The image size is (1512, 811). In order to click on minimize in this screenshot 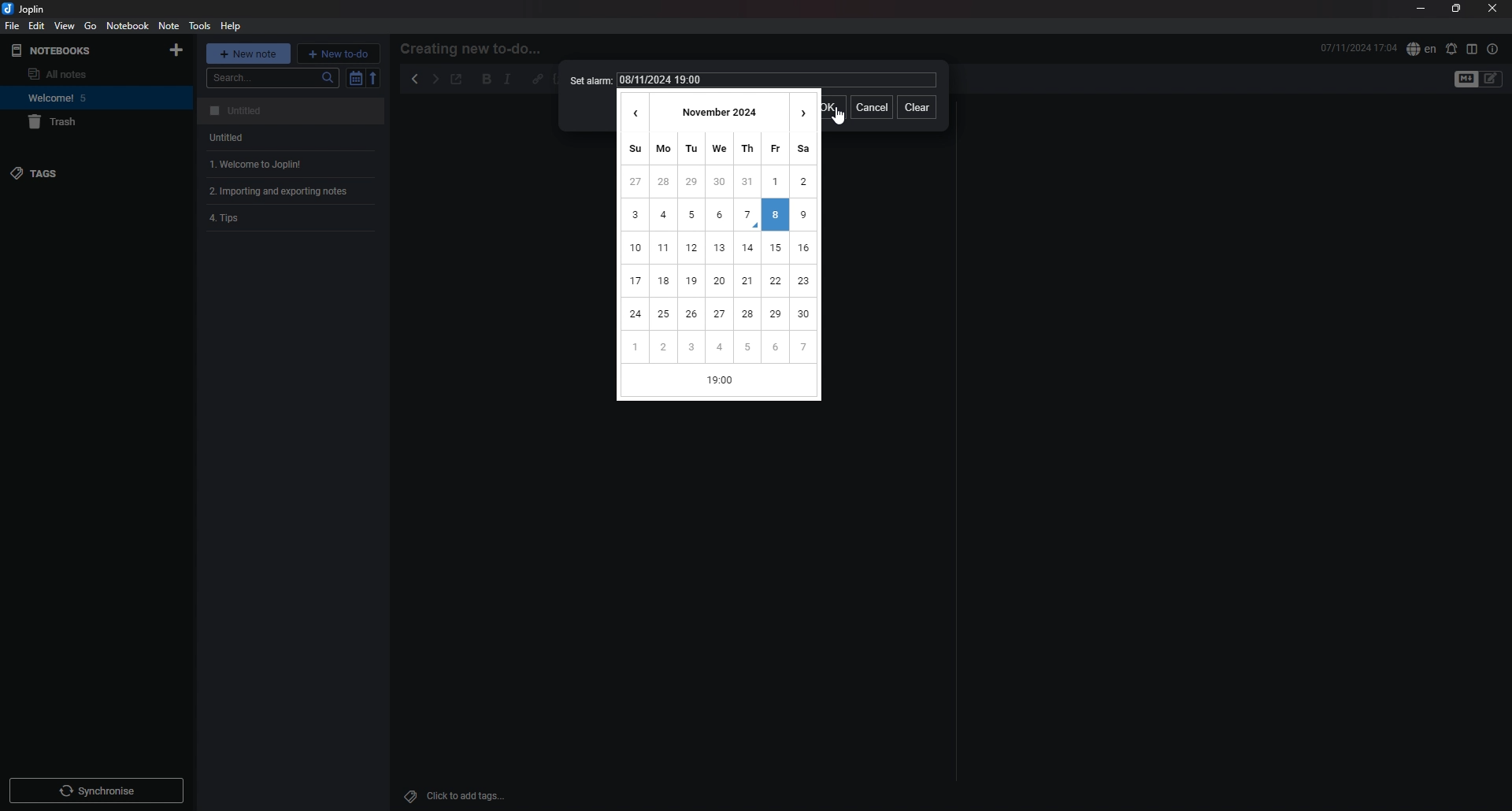, I will do `click(1419, 8)`.